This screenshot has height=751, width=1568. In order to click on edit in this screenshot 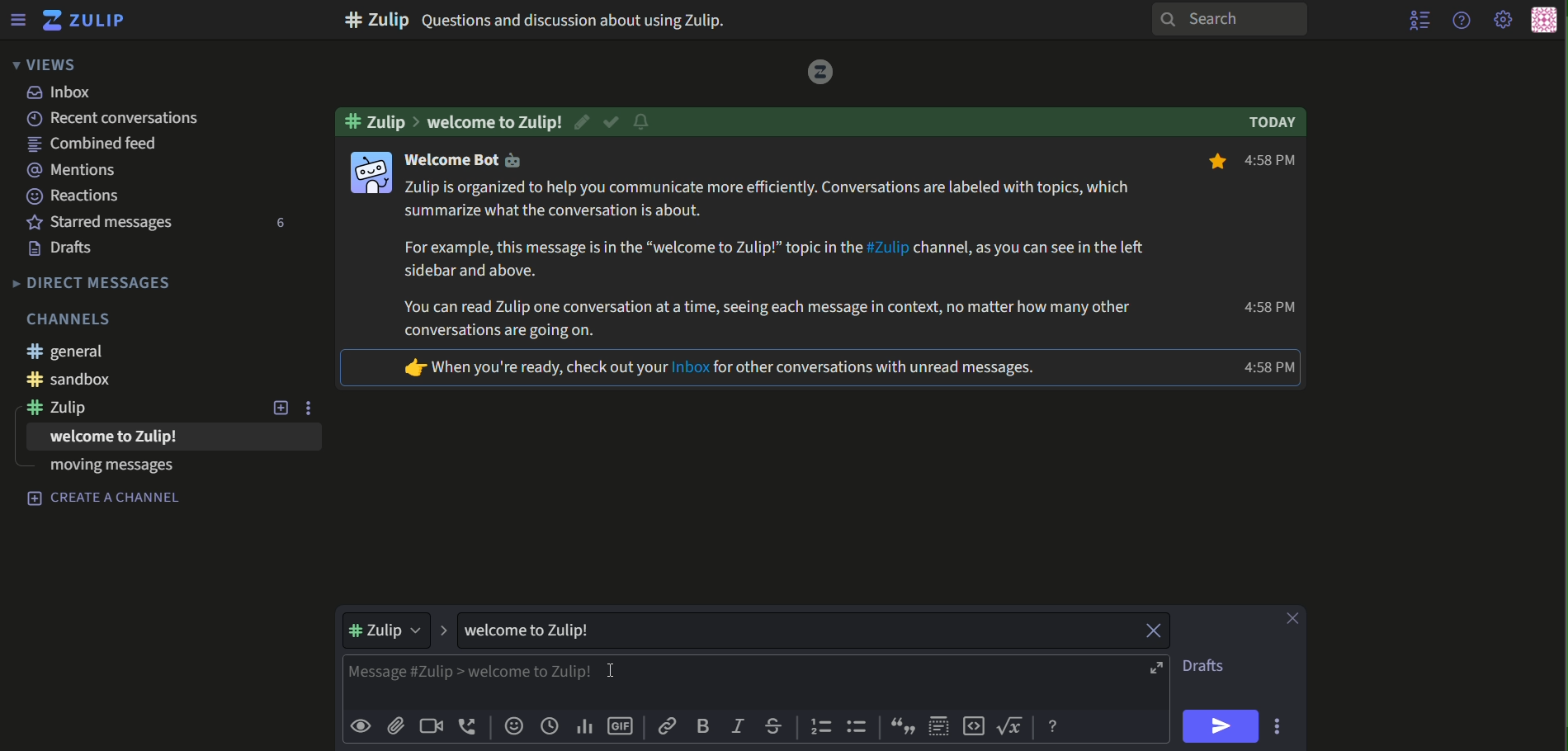, I will do `click(585, 121)`.